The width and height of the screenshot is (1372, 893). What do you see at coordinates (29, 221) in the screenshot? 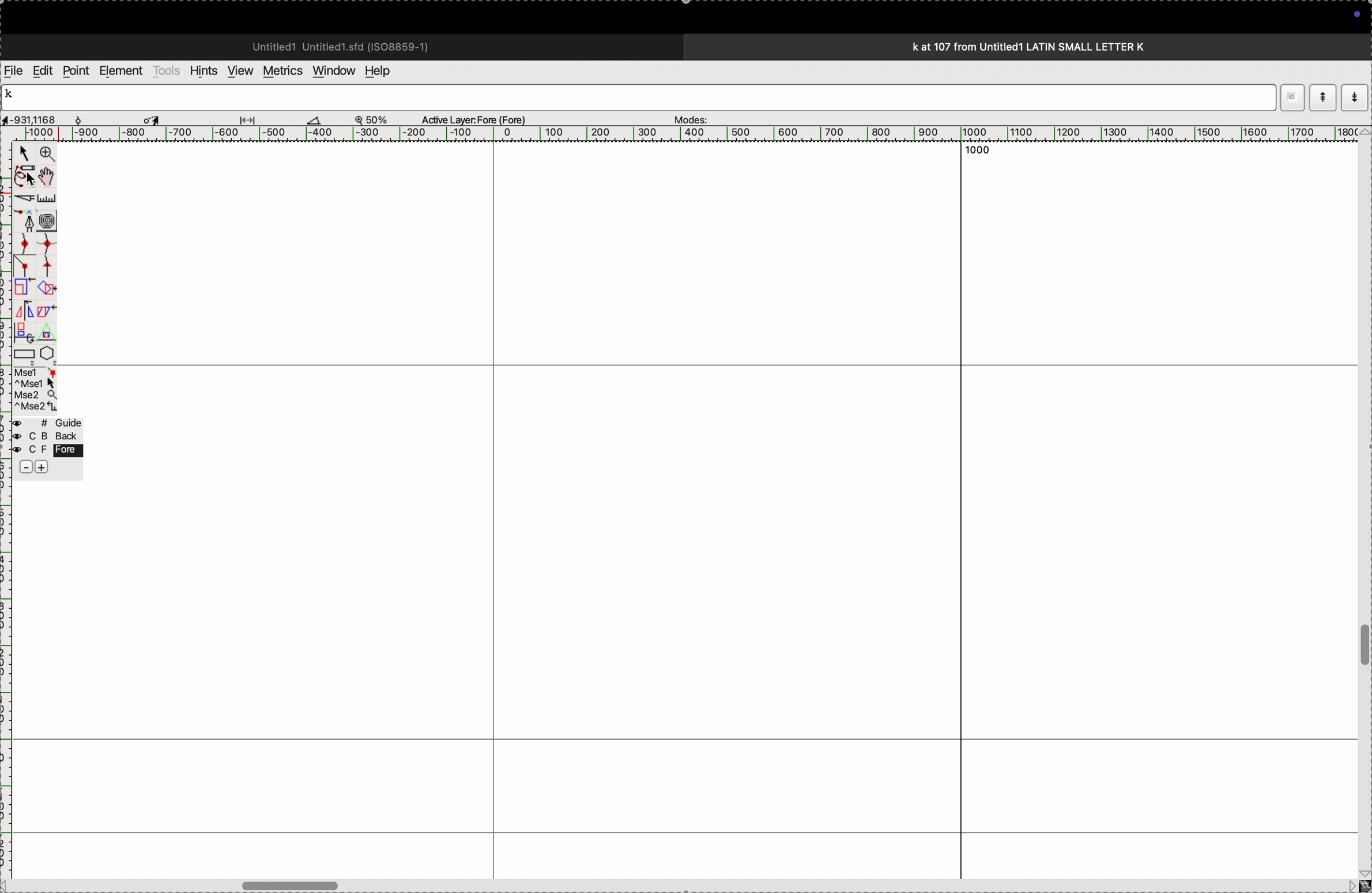
I see `fountain pen` at bounding box center [29, 221].